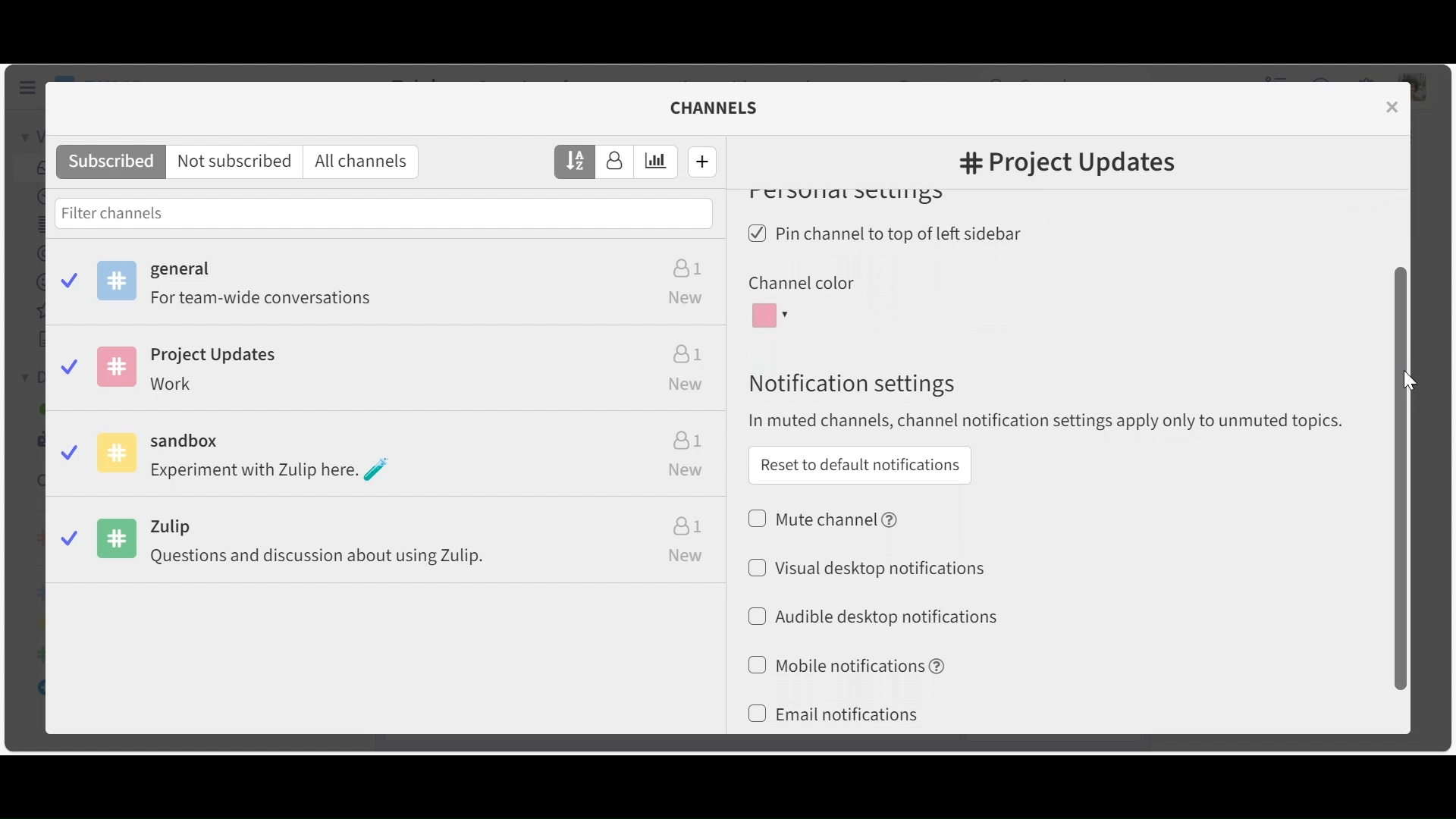 The image size is (1456, 819). What do you see at coordinates (825, 518) in the screenshot?
I see `(un)select Mute channel ` at bounding box center [825, 518].